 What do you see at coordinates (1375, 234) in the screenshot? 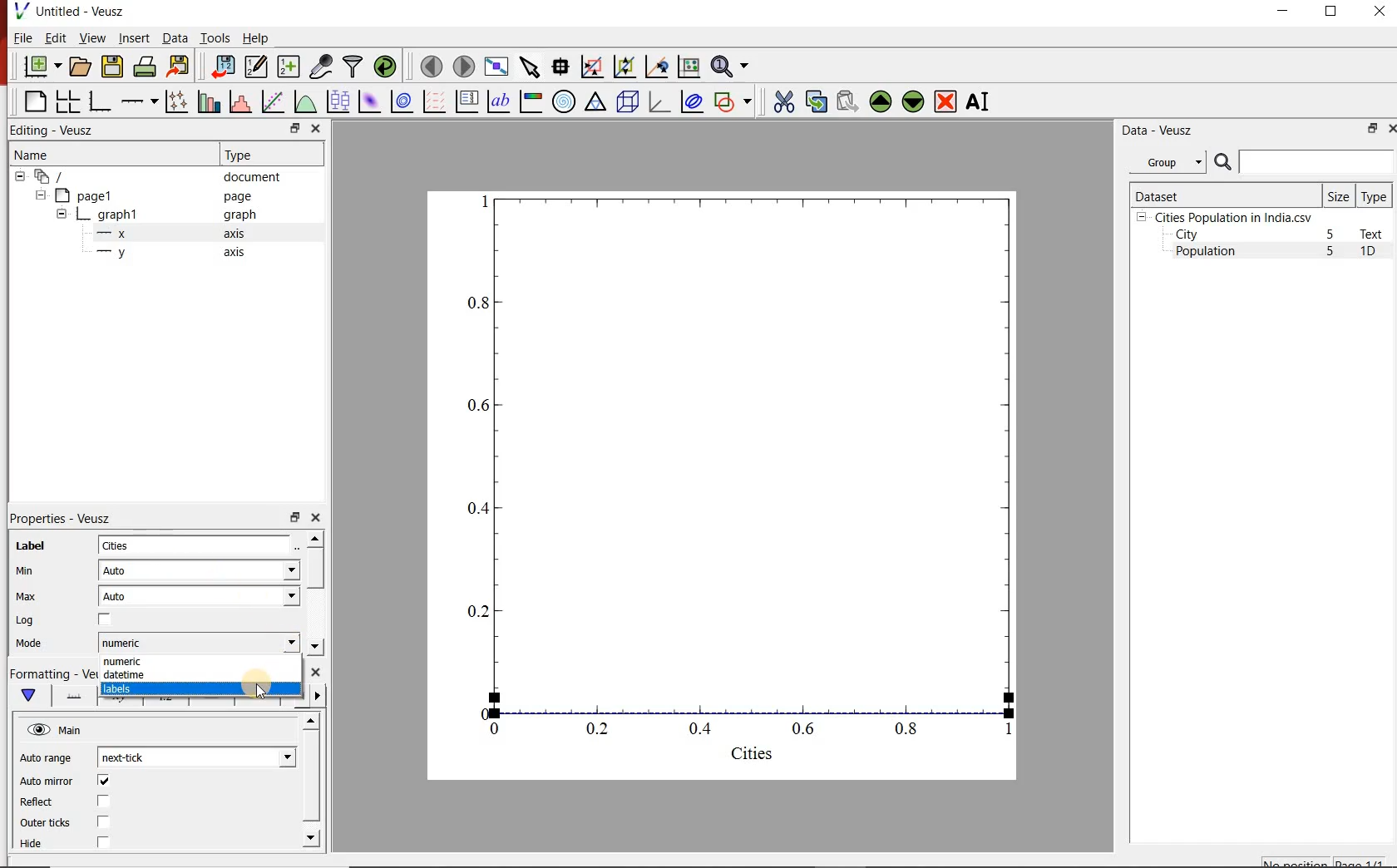
I see `Text` at bounding box center [1375, 234].